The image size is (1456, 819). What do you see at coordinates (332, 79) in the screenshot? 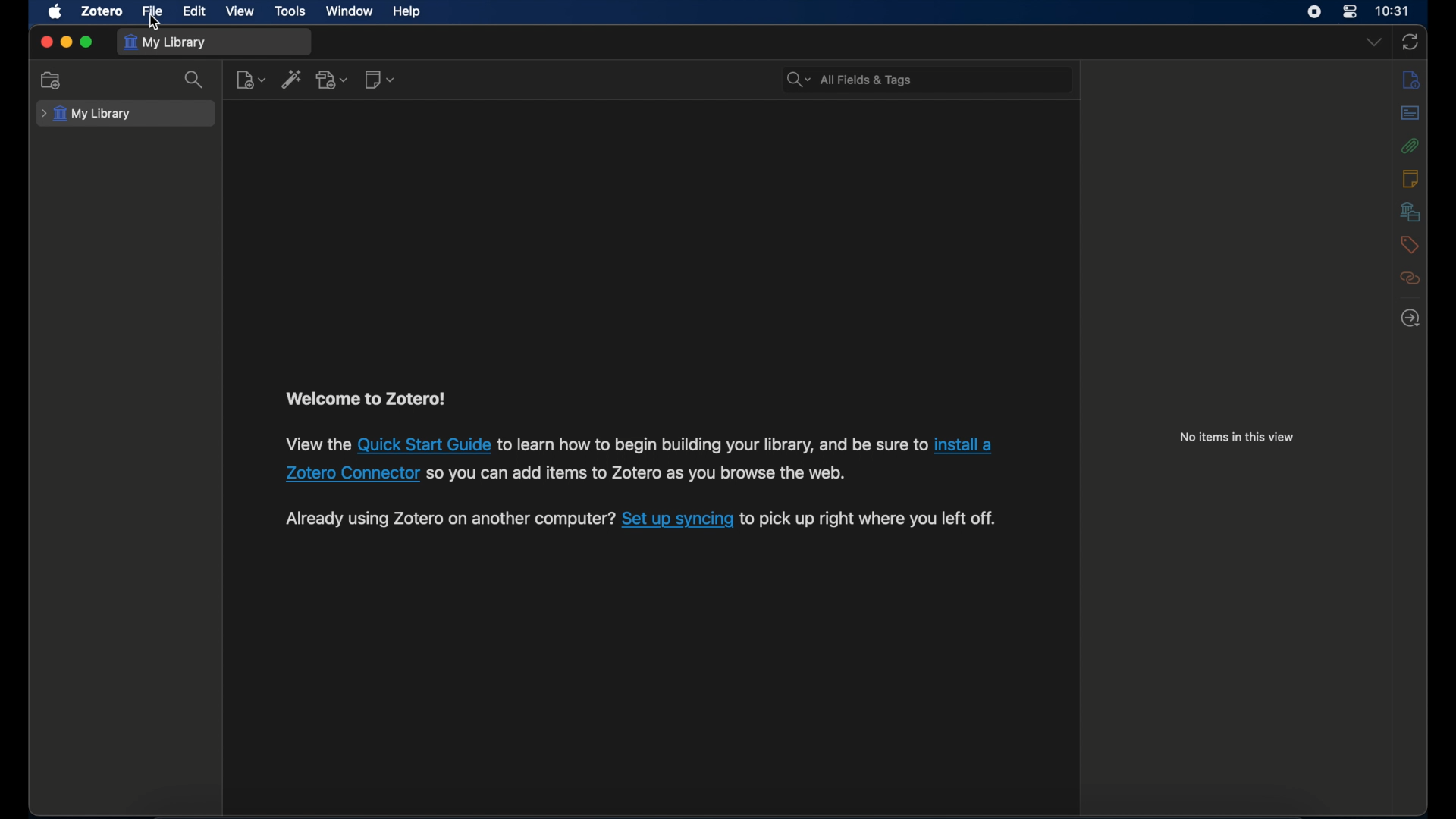
I see `add attachment` at bounding box center [332, 79].